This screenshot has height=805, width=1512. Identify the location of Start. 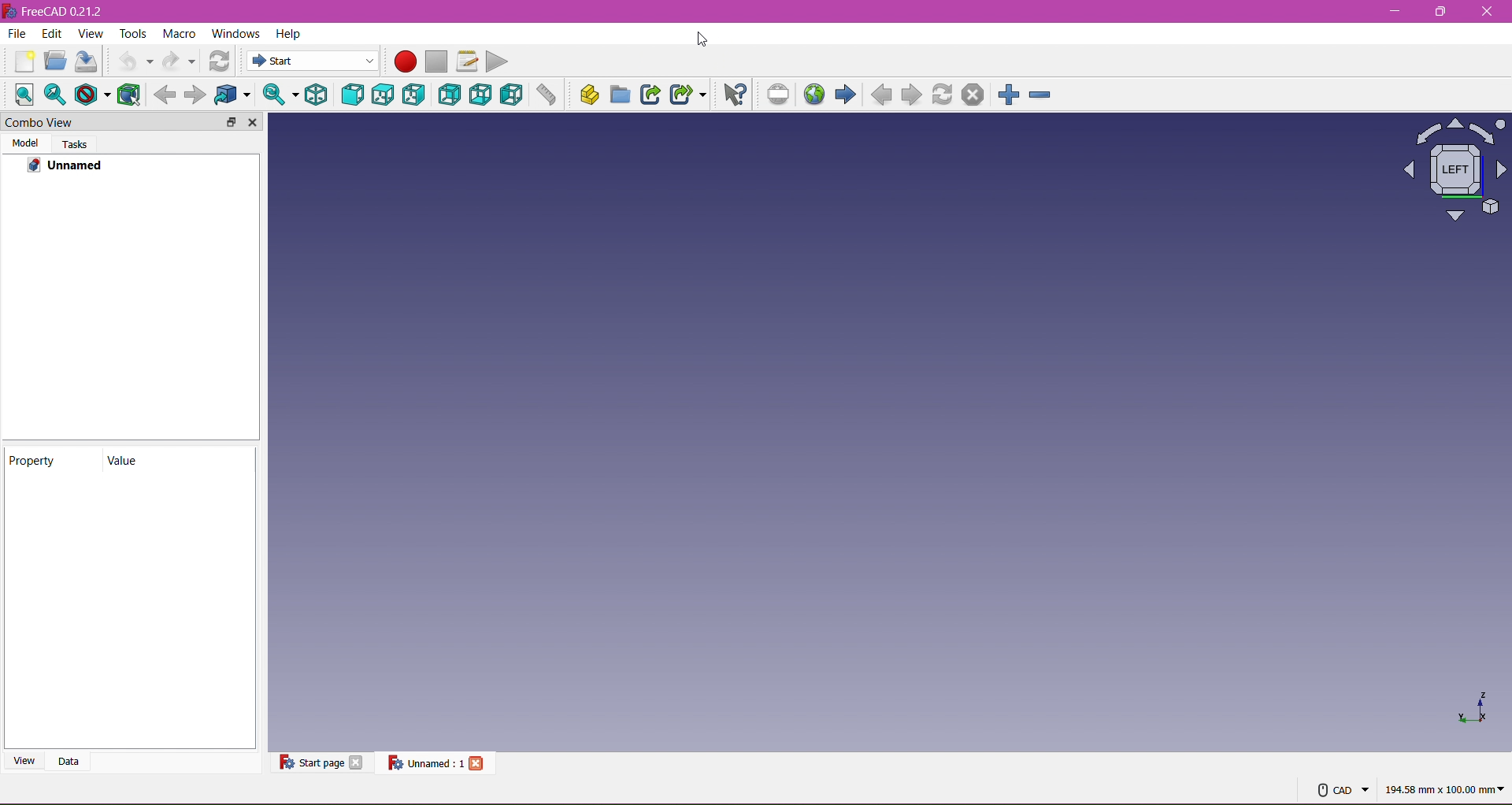
(298, 60).